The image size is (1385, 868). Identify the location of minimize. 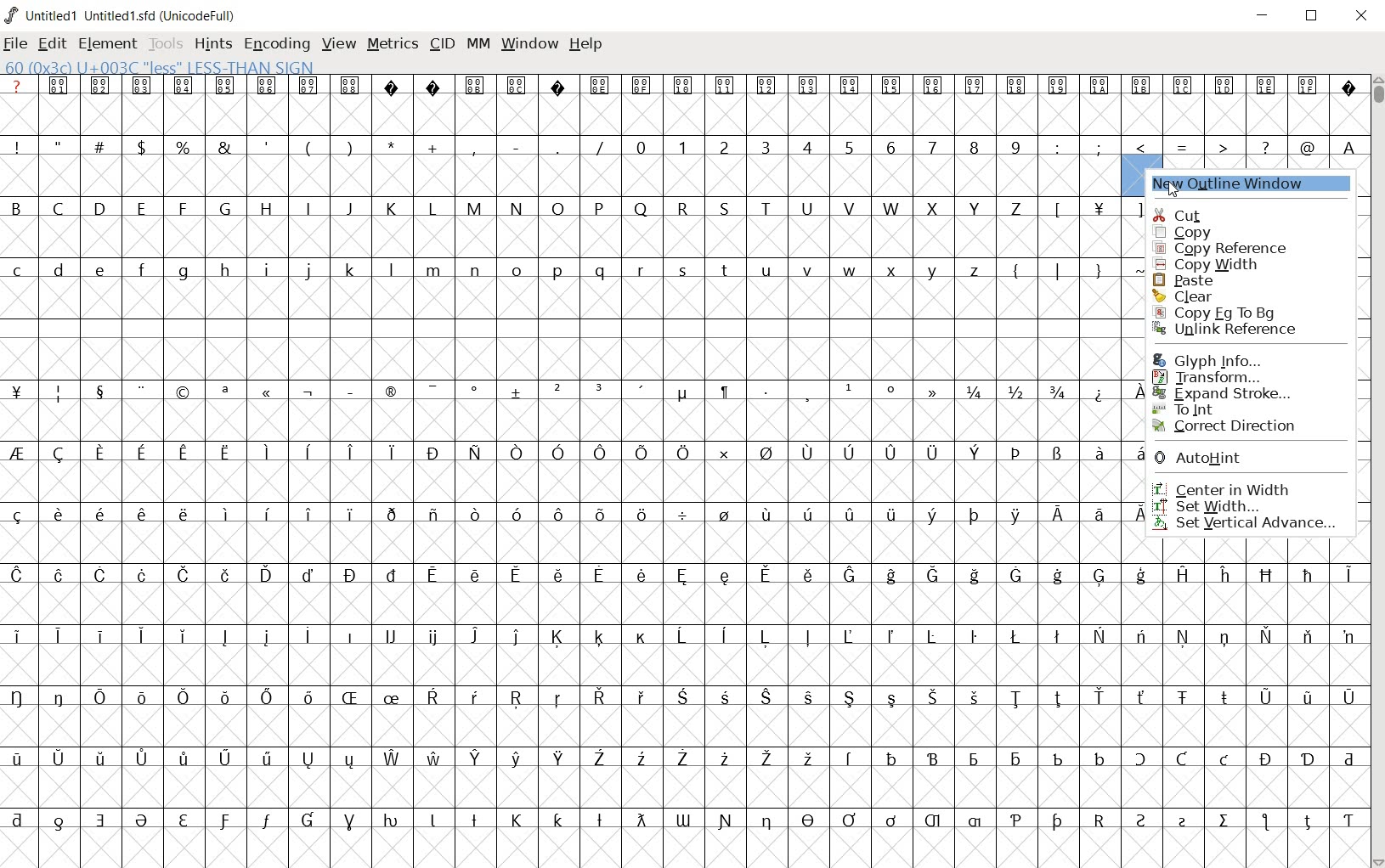
(1263, 15).